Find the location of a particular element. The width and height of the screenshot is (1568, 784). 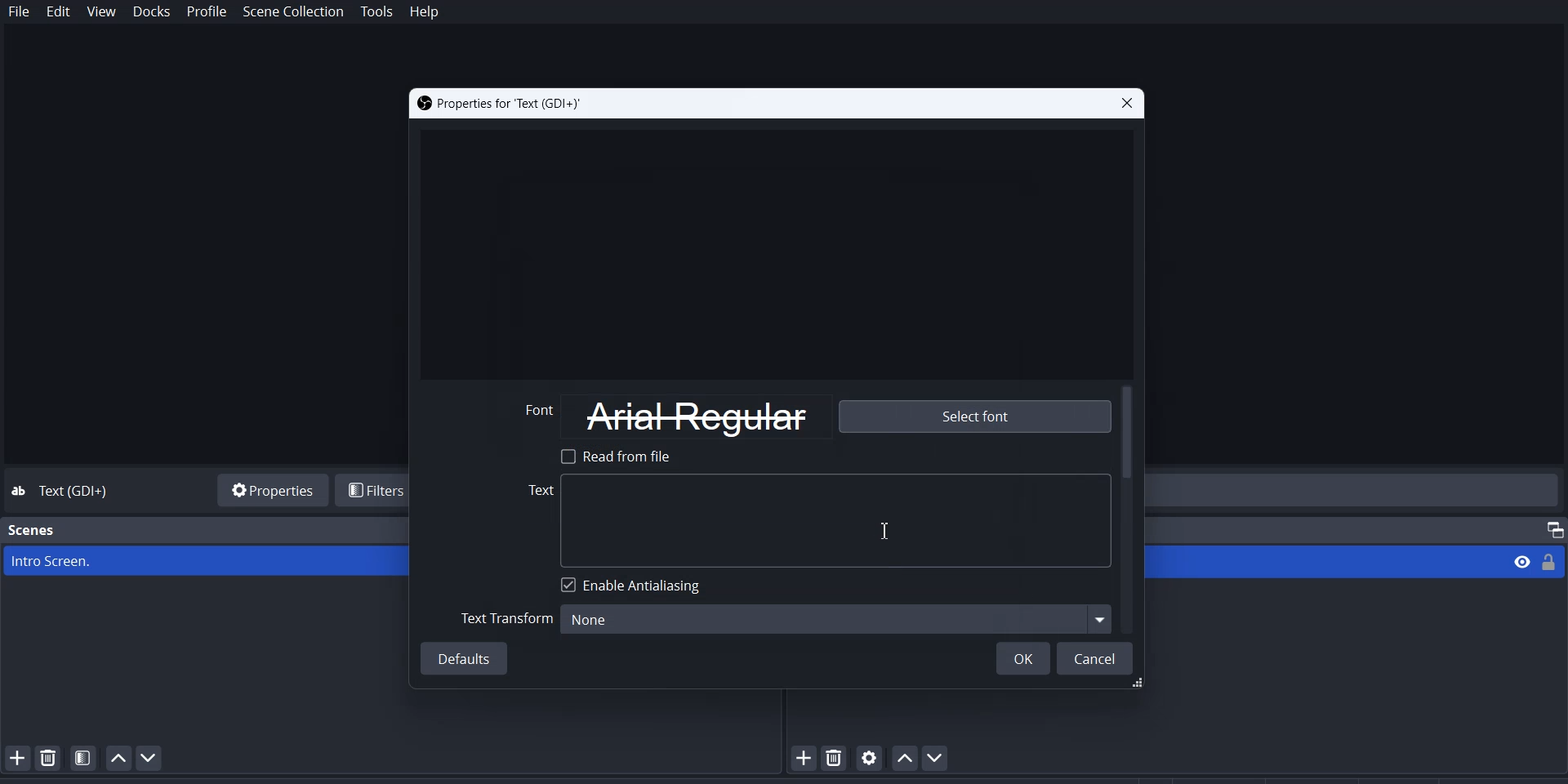

Edit is located at coordinates (59, 13).